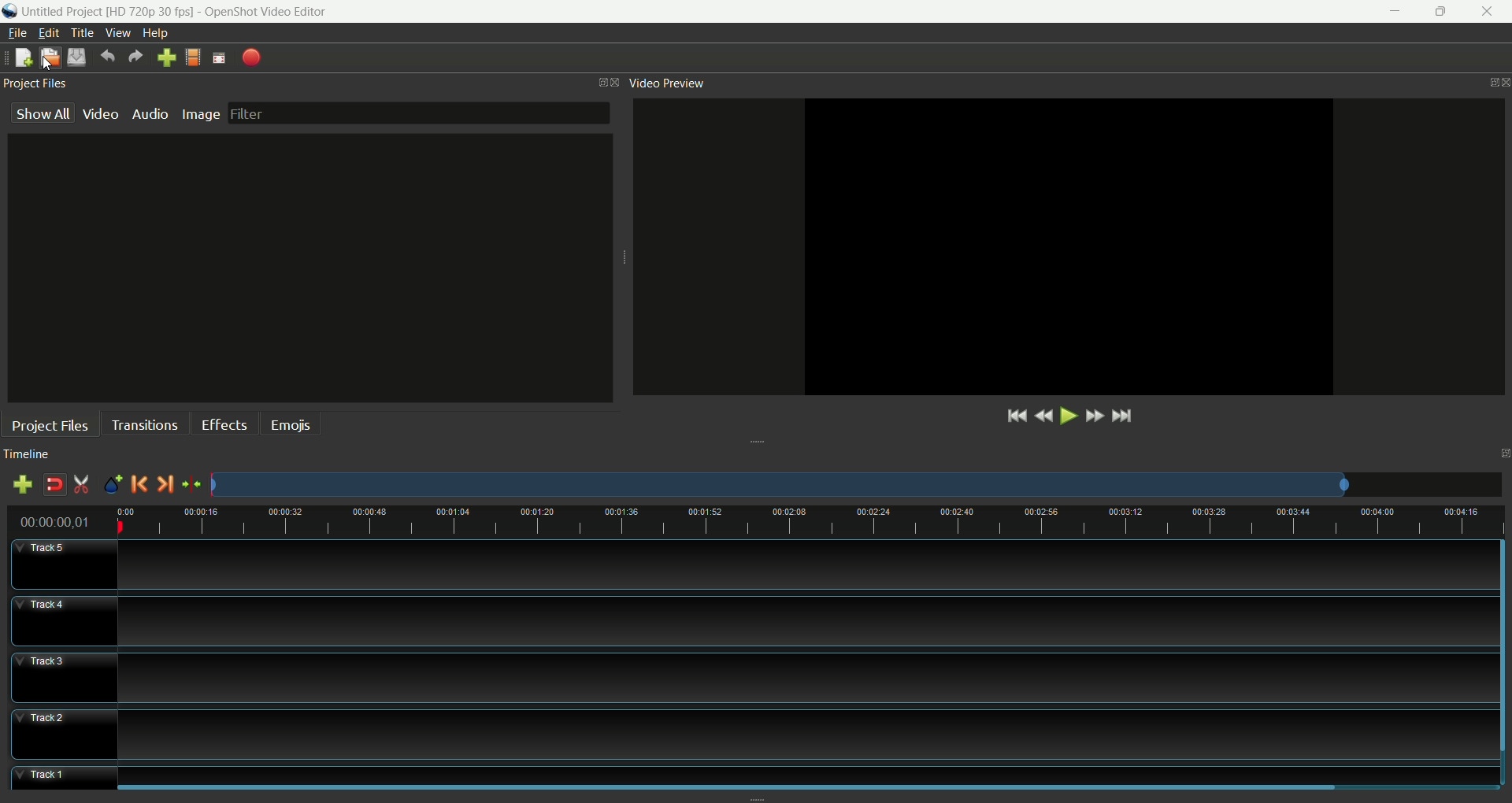  What do you see at coordinates (139, 484) in the screenshot?
I see `previous marker` at bounding box center [139, 484].